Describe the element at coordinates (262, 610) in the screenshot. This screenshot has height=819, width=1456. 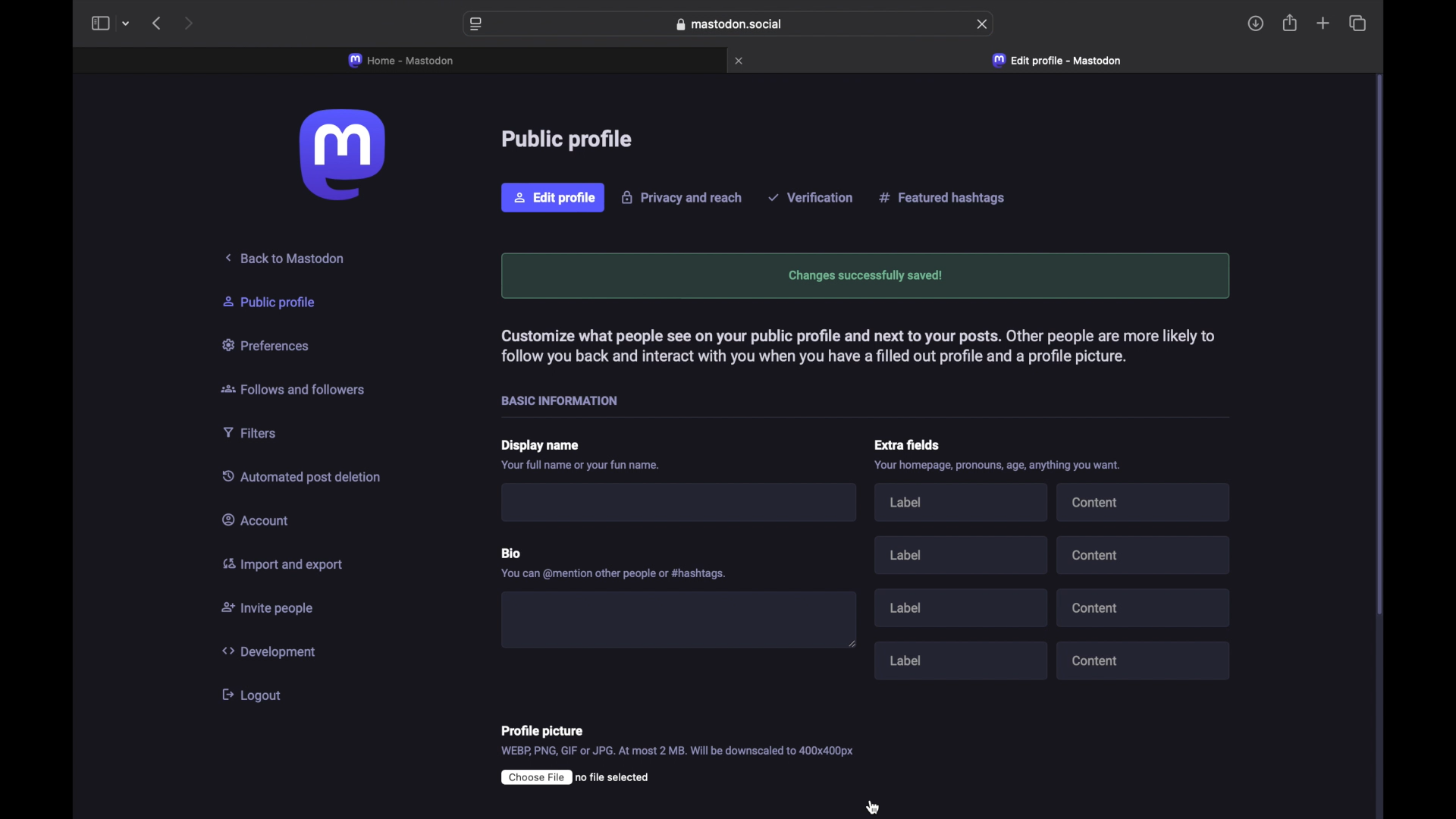
I see `Invite people` at that location.